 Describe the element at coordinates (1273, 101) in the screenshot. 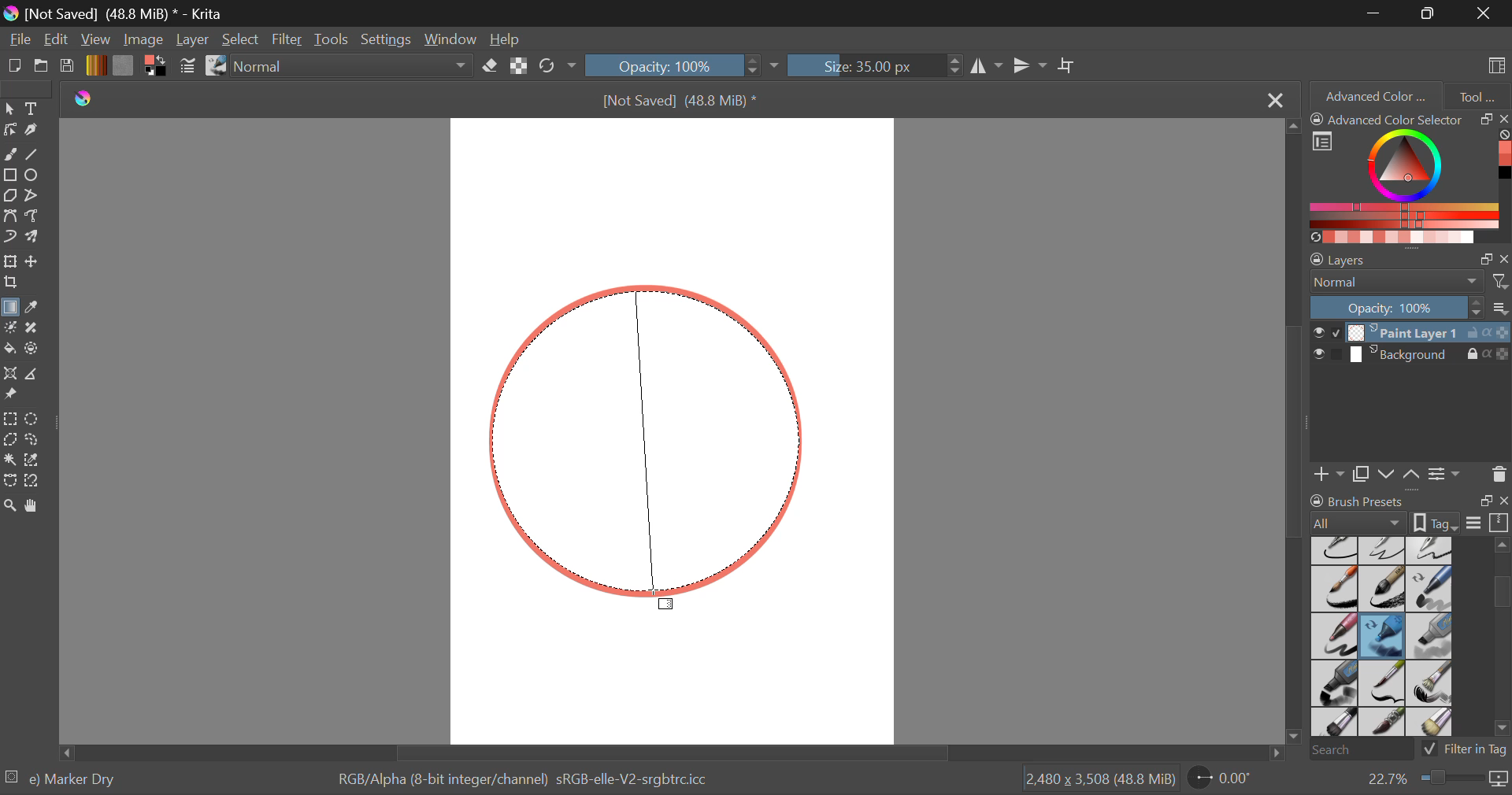

I see `Close` at that location.